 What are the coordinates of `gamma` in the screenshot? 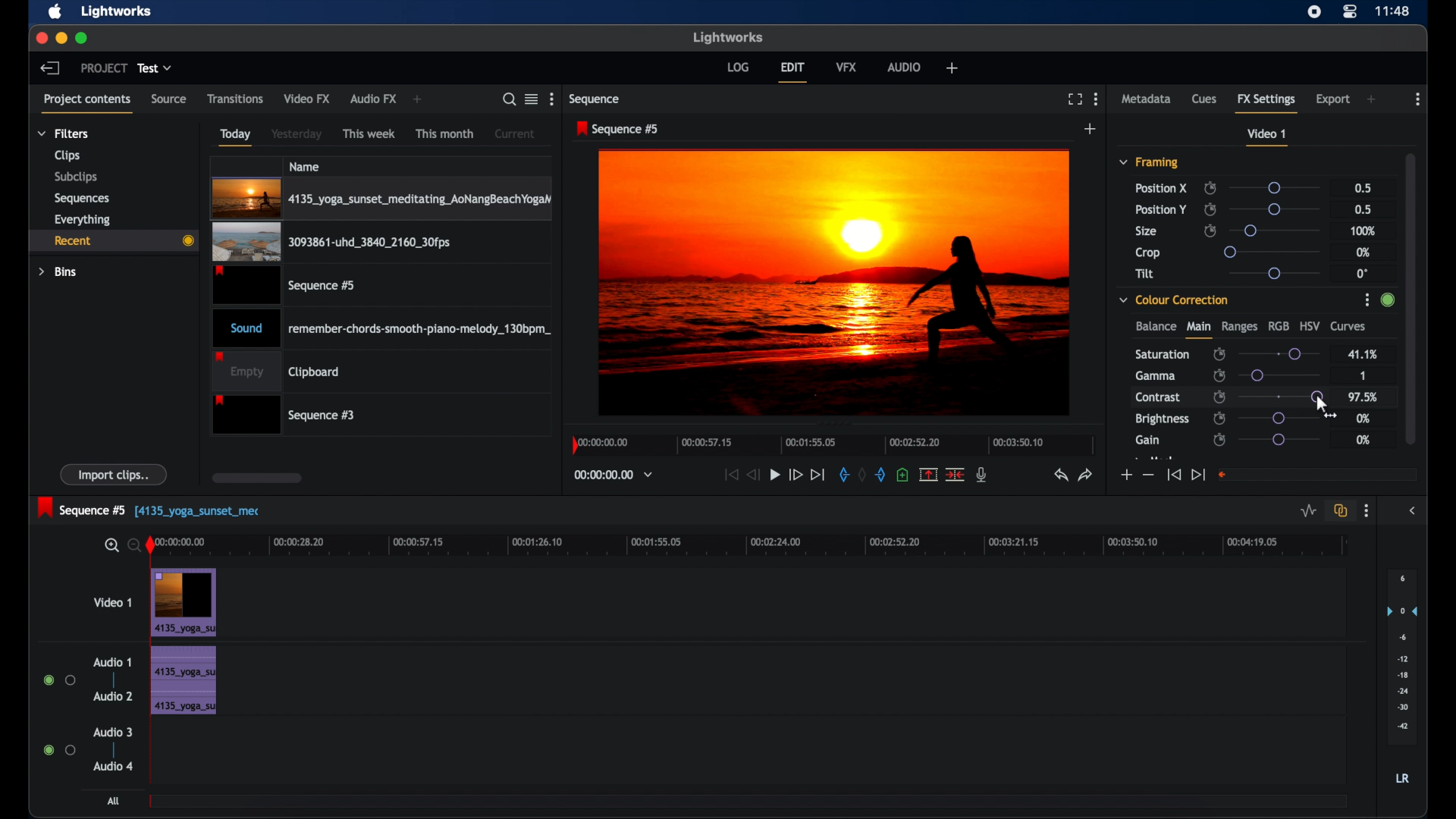 It's located at (1155, 375).